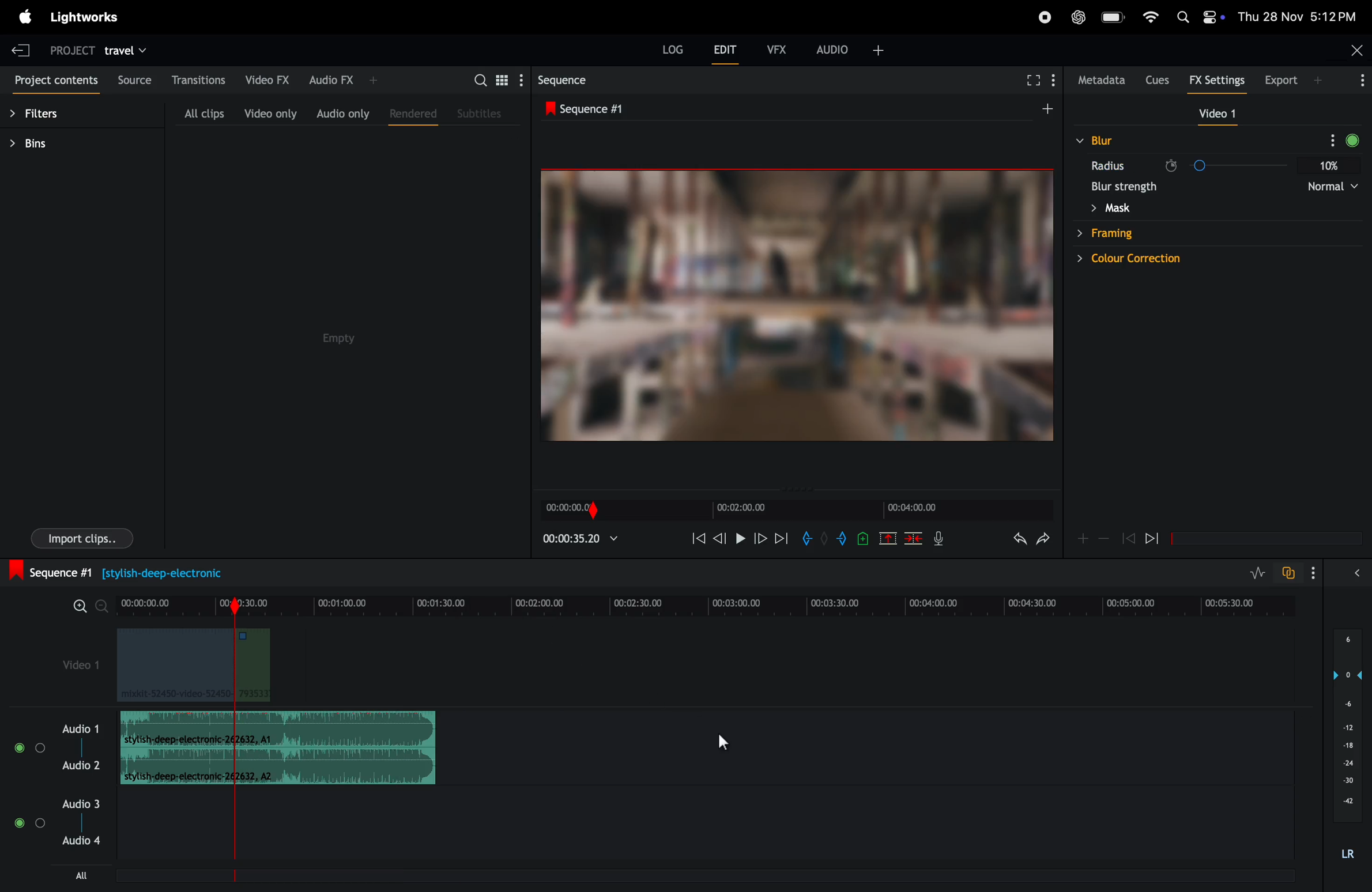 Image resolution: width=1372 pixels, height=892 pixels. Describe the element at coordinates (839, 540) in the screenshot. I see `add an out mark` at that location.